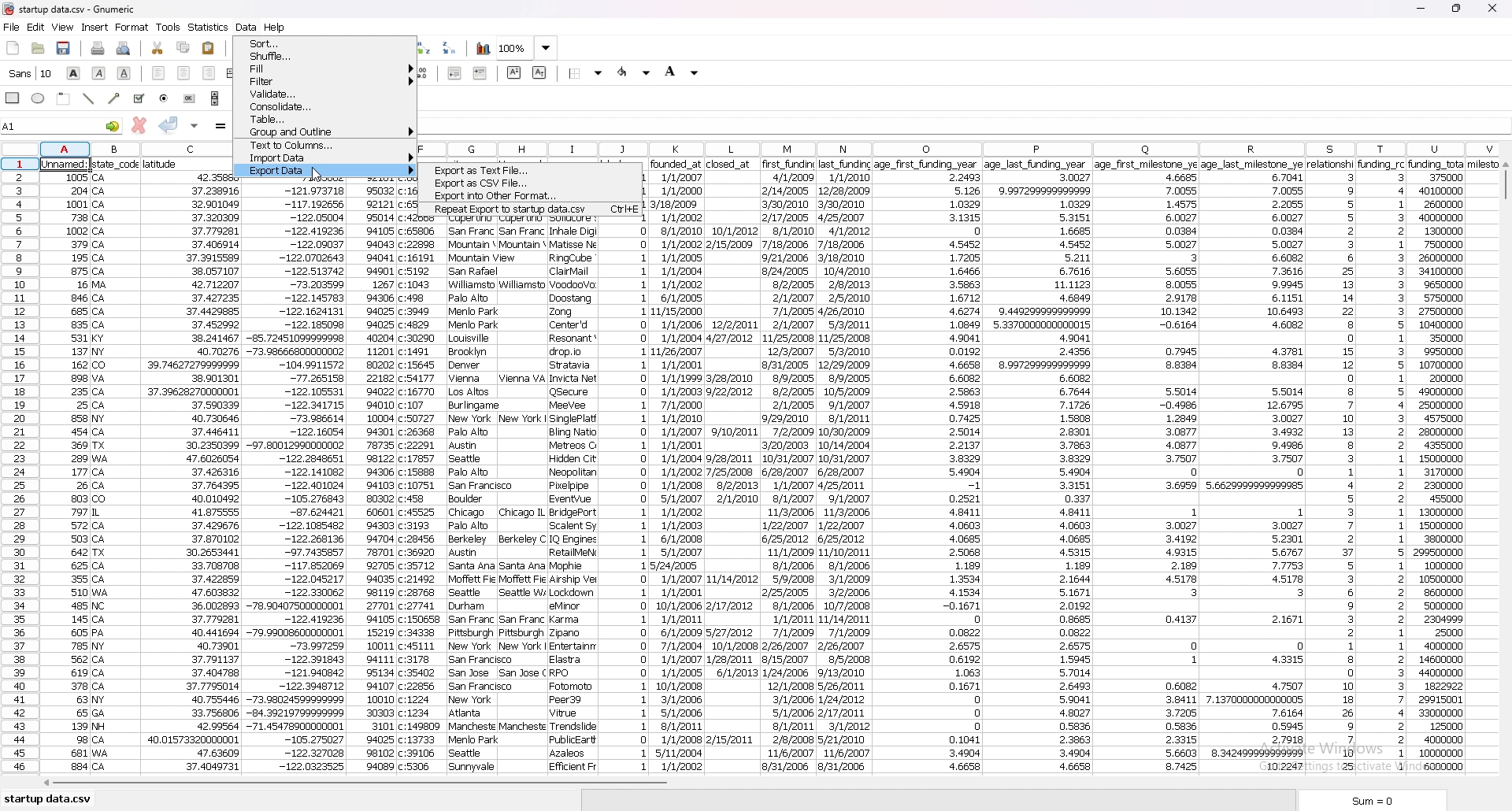  Describe the element at coordinates (1504, 472) in the screenshot. I see `scroll bar` at that location.